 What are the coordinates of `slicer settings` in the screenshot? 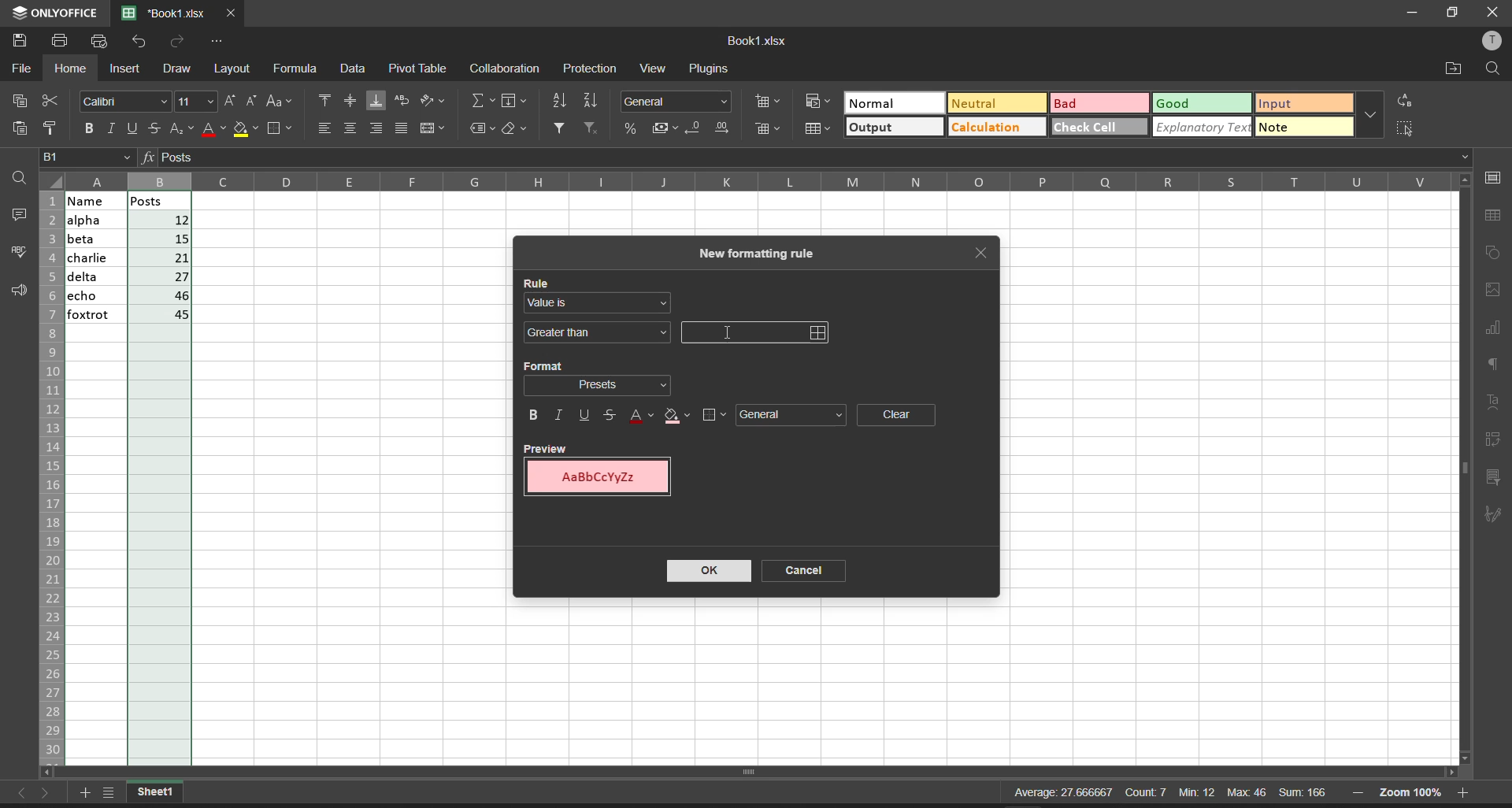 It's located at (1496, 474).